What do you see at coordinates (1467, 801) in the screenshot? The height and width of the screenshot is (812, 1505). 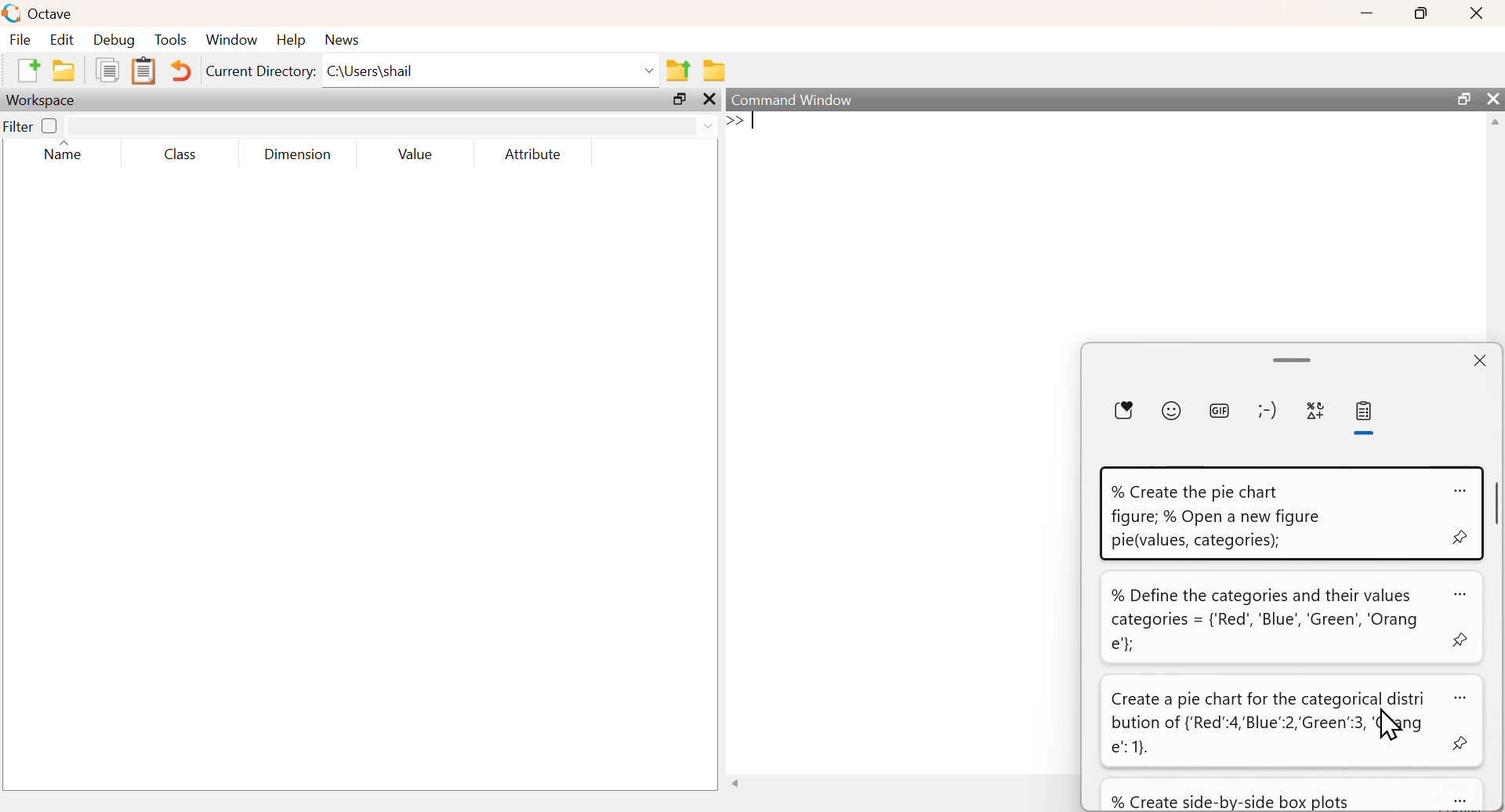 I see `more options` at bounding box center [1467, 801].